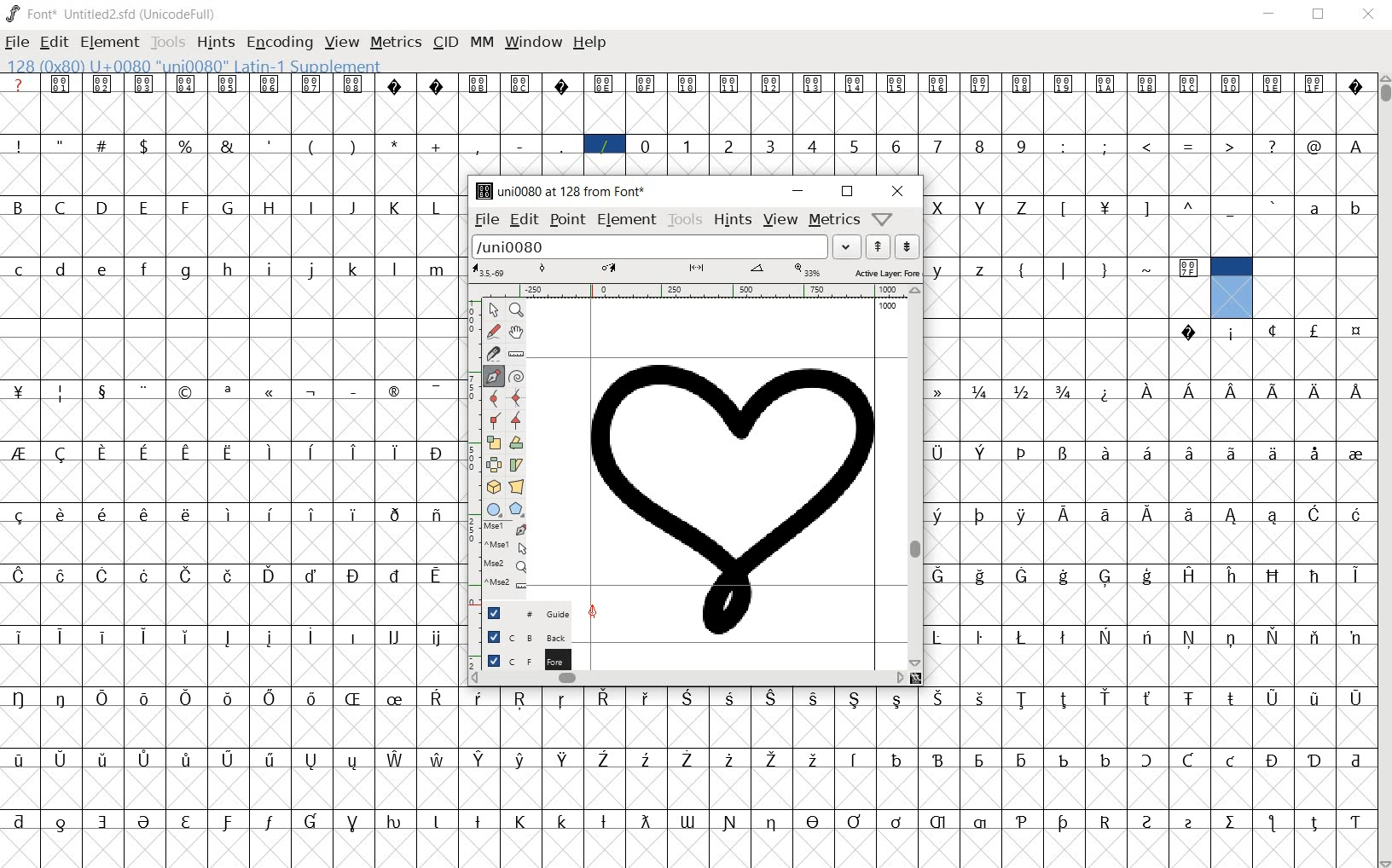 The height and width of the screenshot is (868, 1392). I want to click on glyph, so click(437, 147).